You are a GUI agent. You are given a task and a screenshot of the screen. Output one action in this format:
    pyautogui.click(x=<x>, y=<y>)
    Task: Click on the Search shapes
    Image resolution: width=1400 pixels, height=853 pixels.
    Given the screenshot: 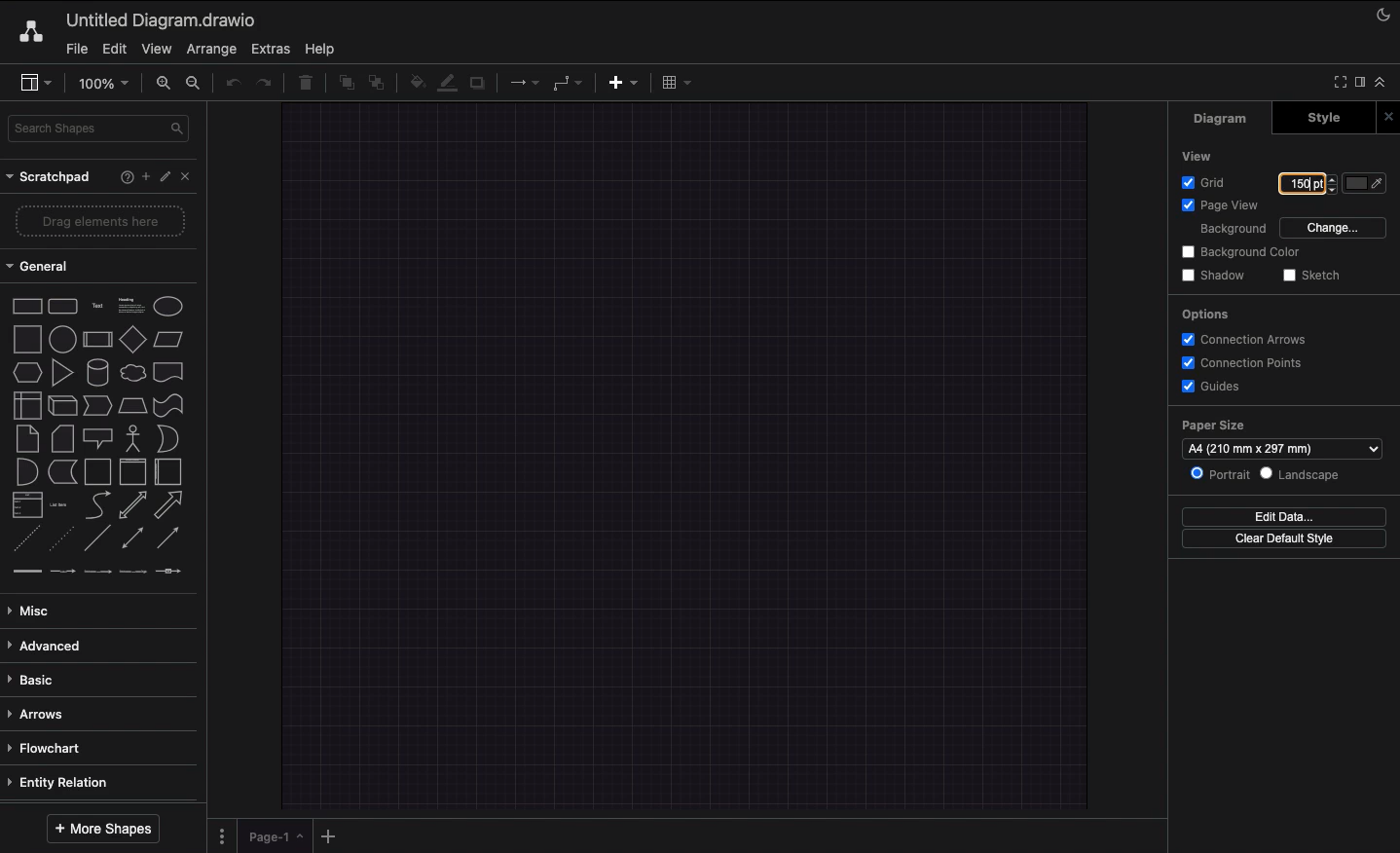 What is the action you would take?
    pyautogui.click(x=98, y=130)
    